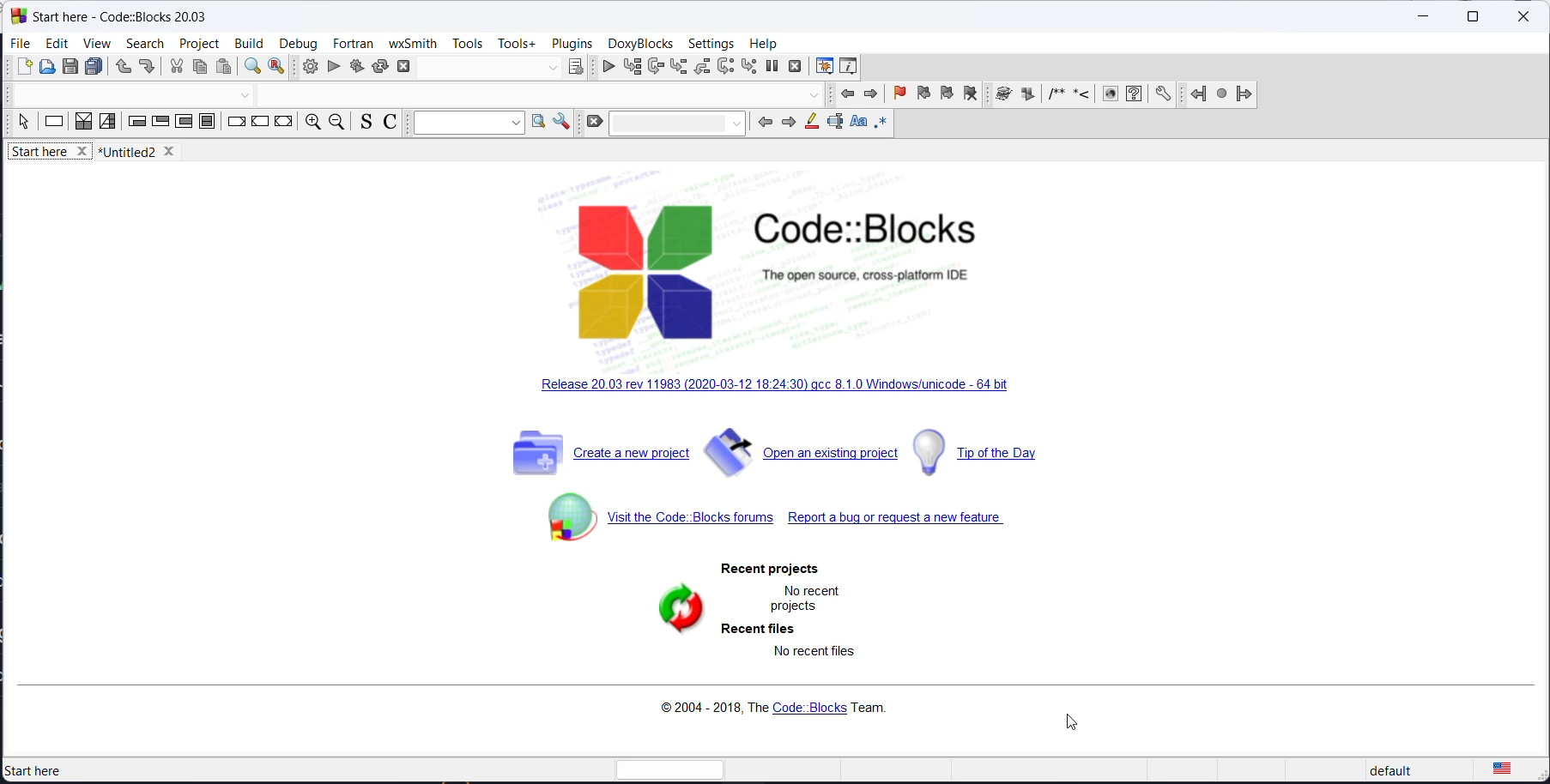 The width and height of the screenshot is (1550, 784). What do you see at coordinates (561, 122) in the screenshot?
I see `setting` at bounding box center [561, 122].